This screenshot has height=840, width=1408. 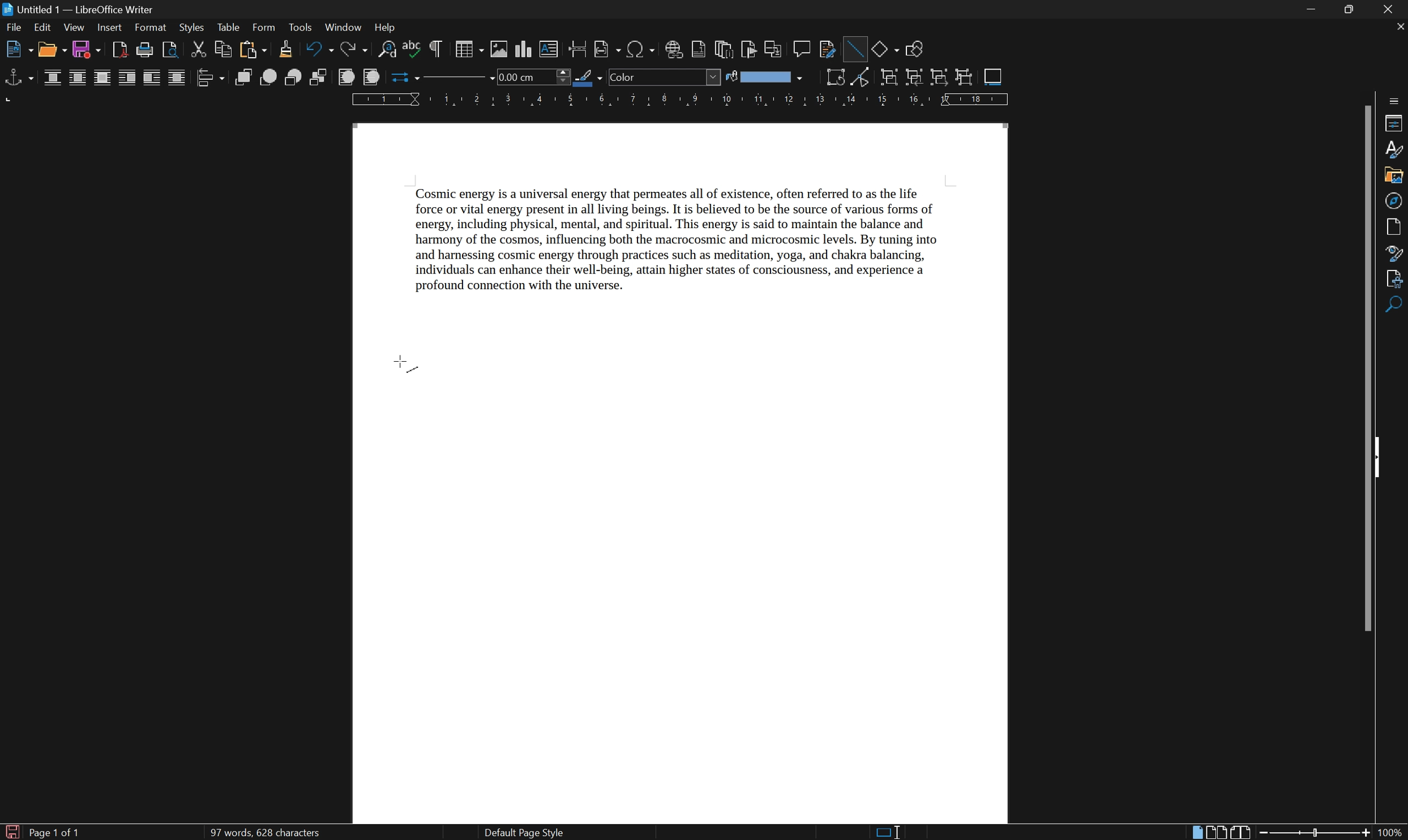 What do you see at coordinates (370, 77) in the screenshot?
I see `to background` at bounding box center [370, 77].